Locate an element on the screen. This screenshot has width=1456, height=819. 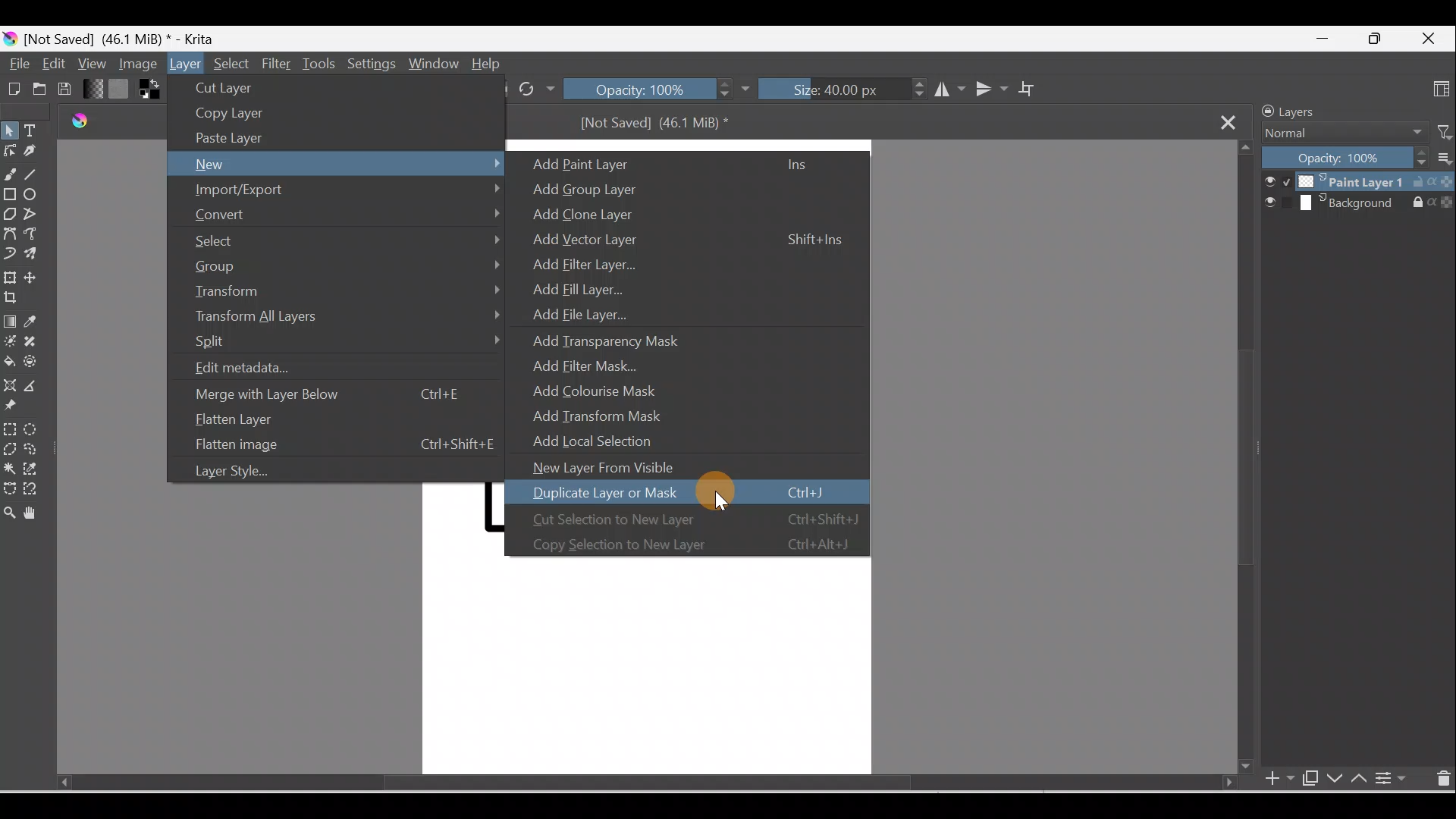
Crop the image to an area is located at coordinates (13, 298).